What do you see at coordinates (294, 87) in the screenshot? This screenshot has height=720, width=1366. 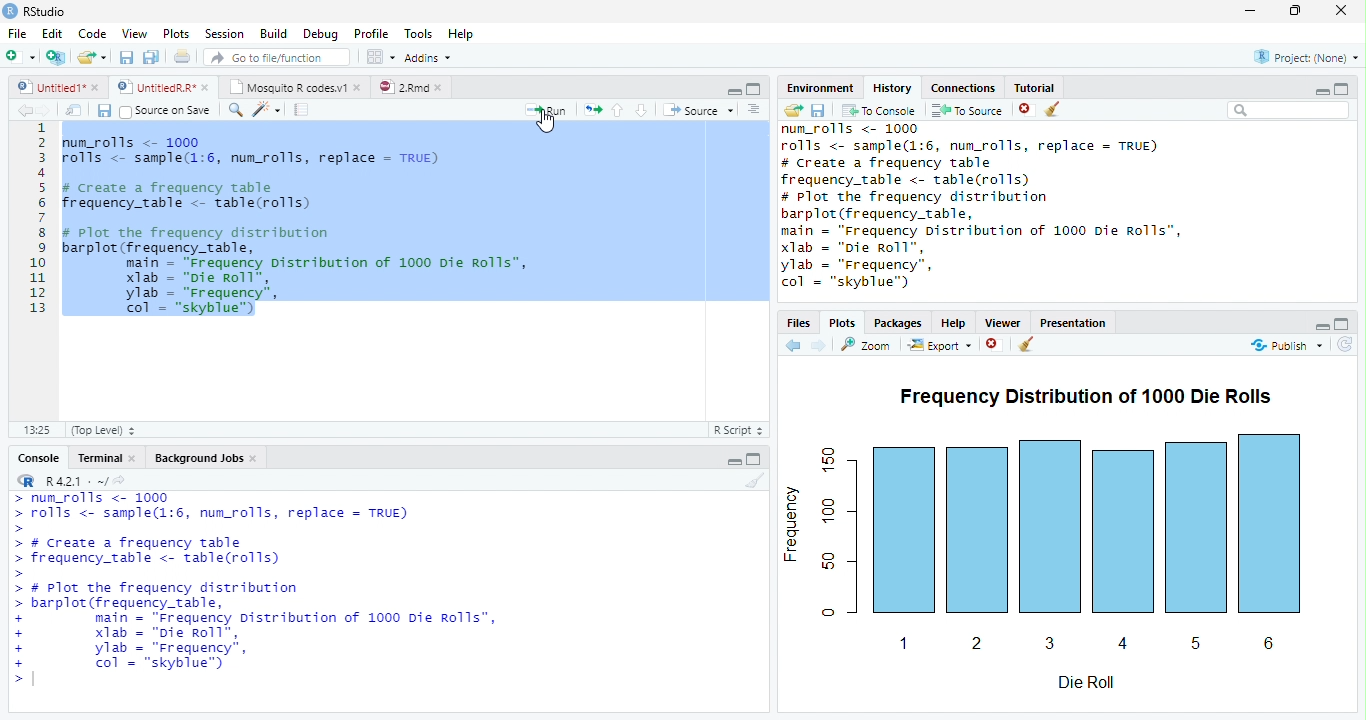 I see `| Mosquito R codesv1` at bounding box center [294, 87].